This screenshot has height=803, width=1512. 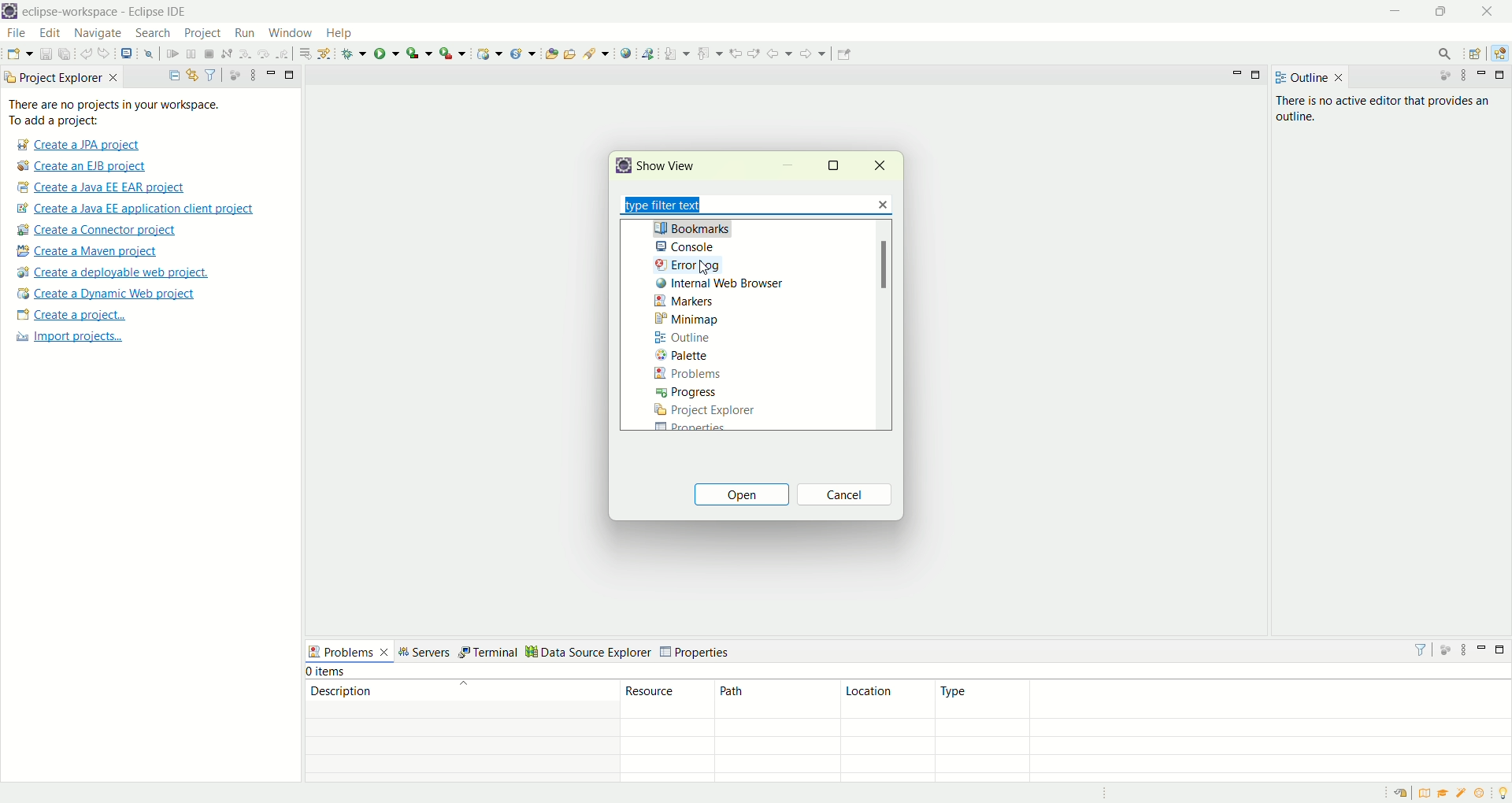 What do you see at coordinates (736, 52) in the screenshot?
I see `previous edit location` at bounding box center [736, 52].